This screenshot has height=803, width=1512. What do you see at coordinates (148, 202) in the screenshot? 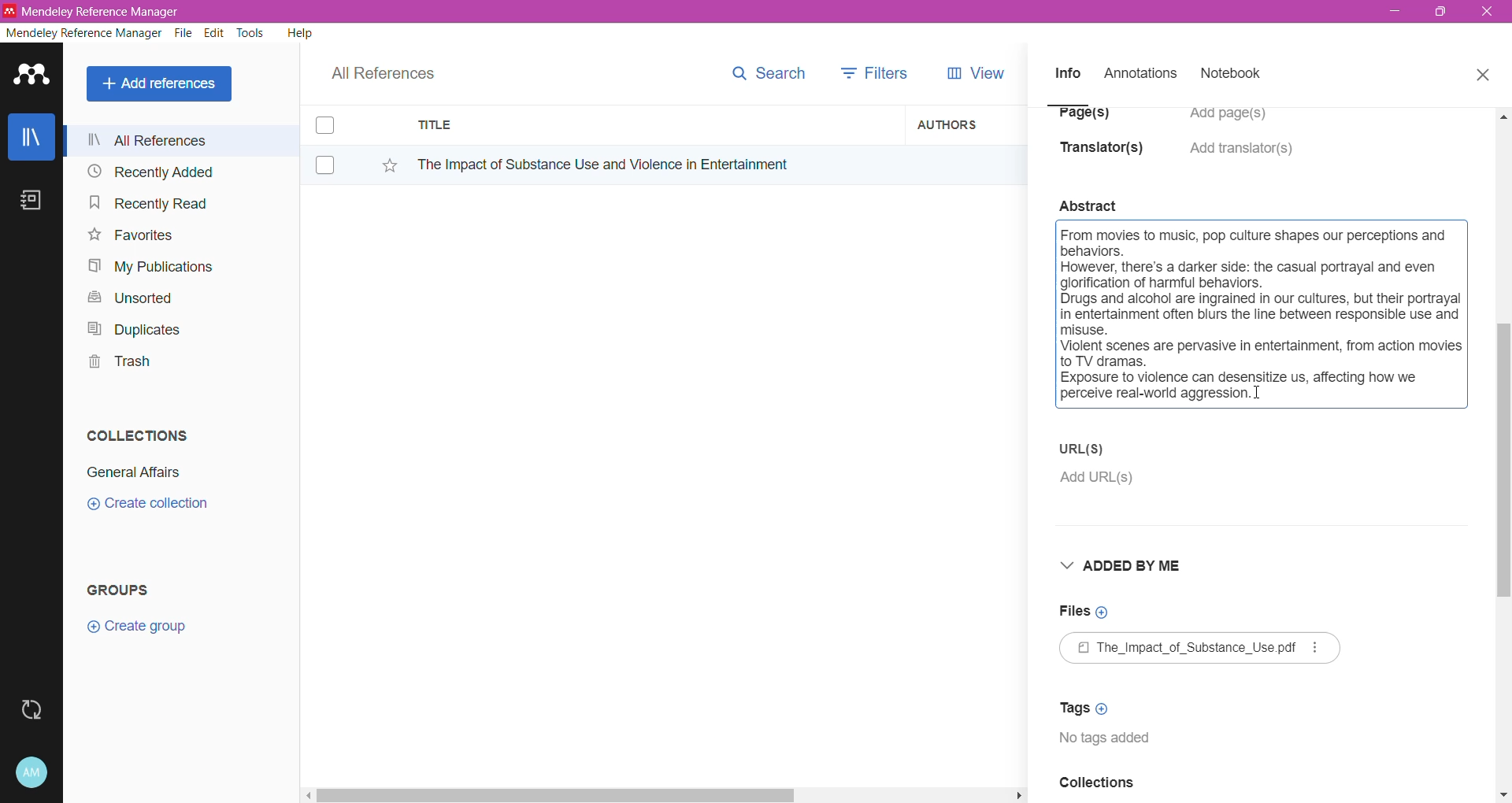
I see `Recently Read` at bounding box center [148, 202].